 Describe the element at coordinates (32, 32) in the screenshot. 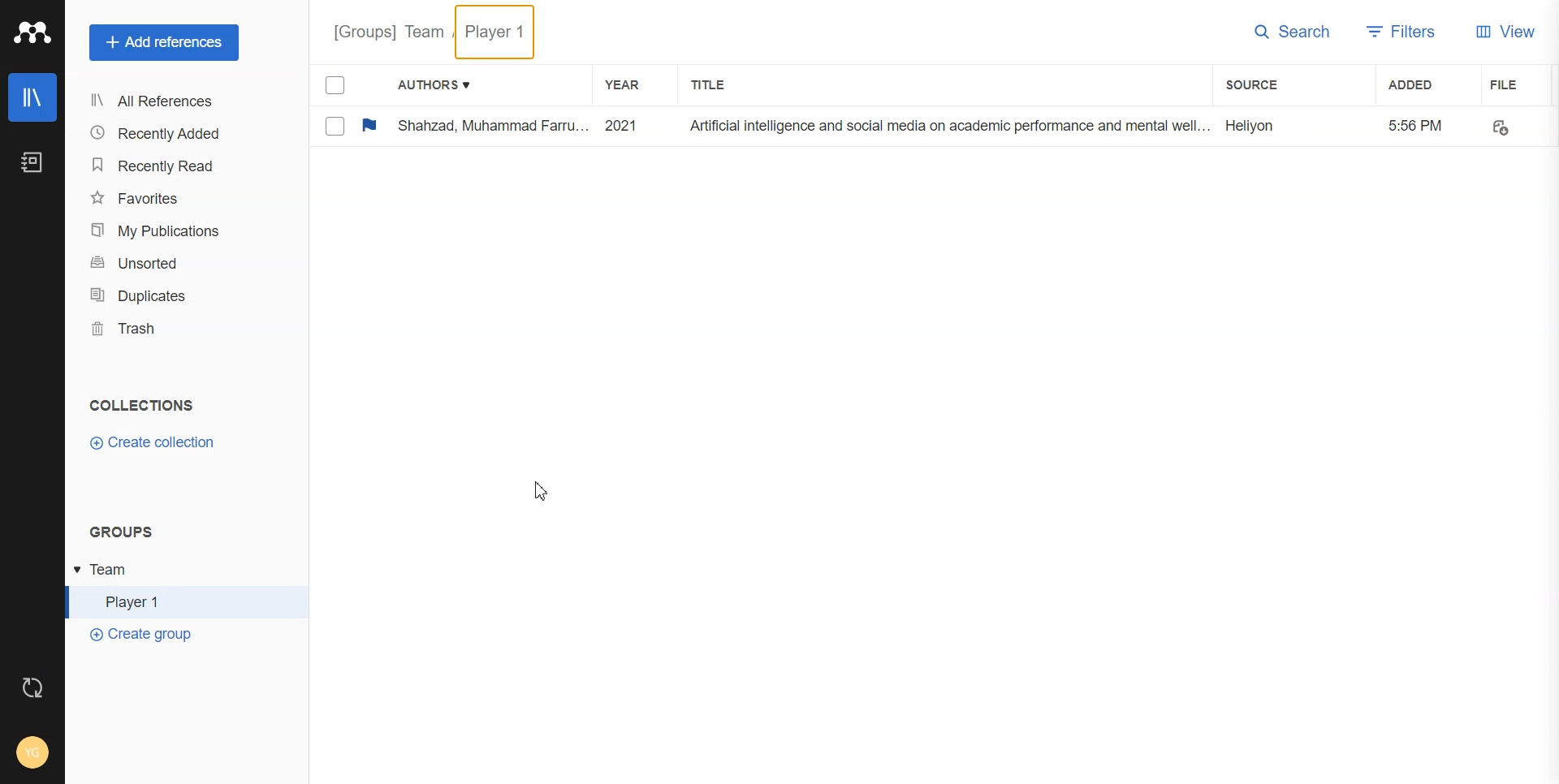

I see `Logo` at that location.